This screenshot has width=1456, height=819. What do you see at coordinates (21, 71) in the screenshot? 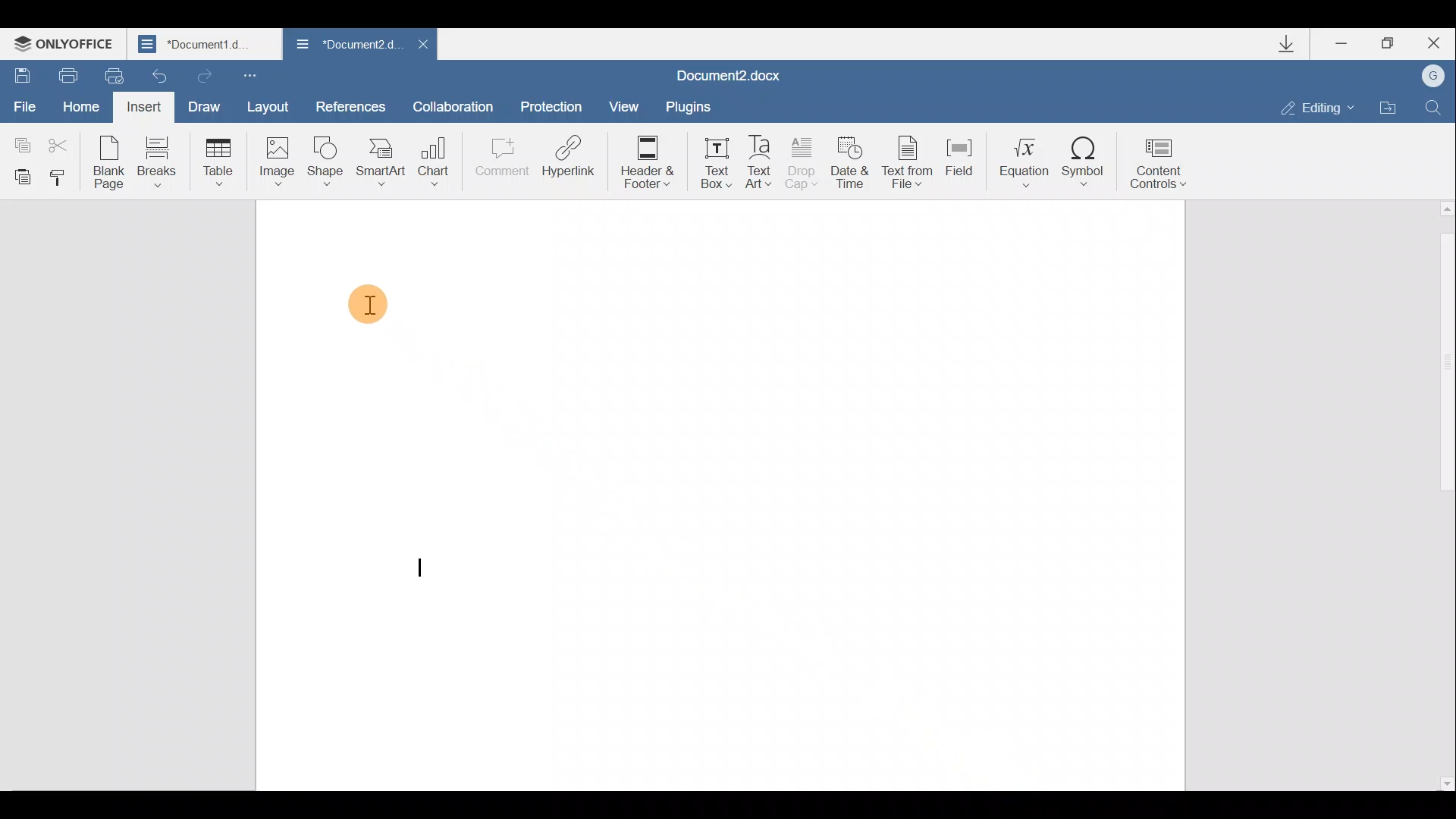
I see `Save` at bounding box center [21, 71].